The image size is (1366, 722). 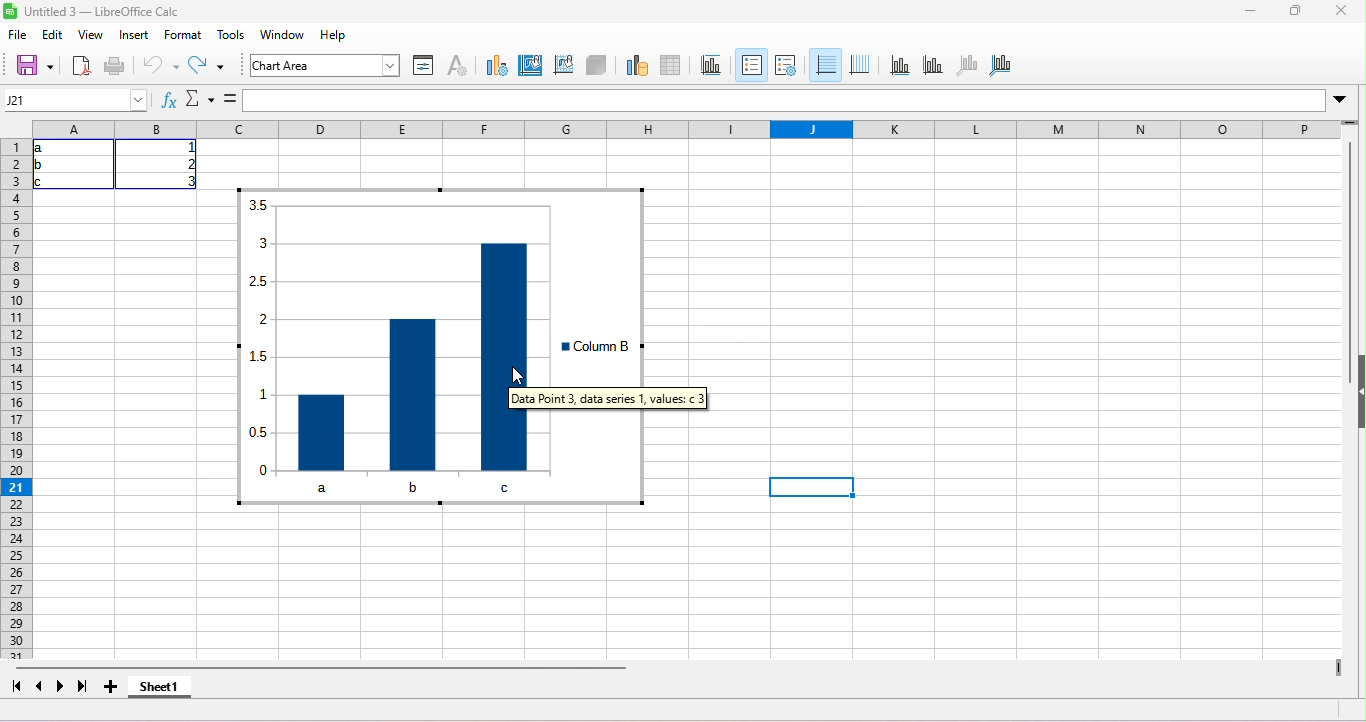 I want to click on format, so click(x=181, y=36).